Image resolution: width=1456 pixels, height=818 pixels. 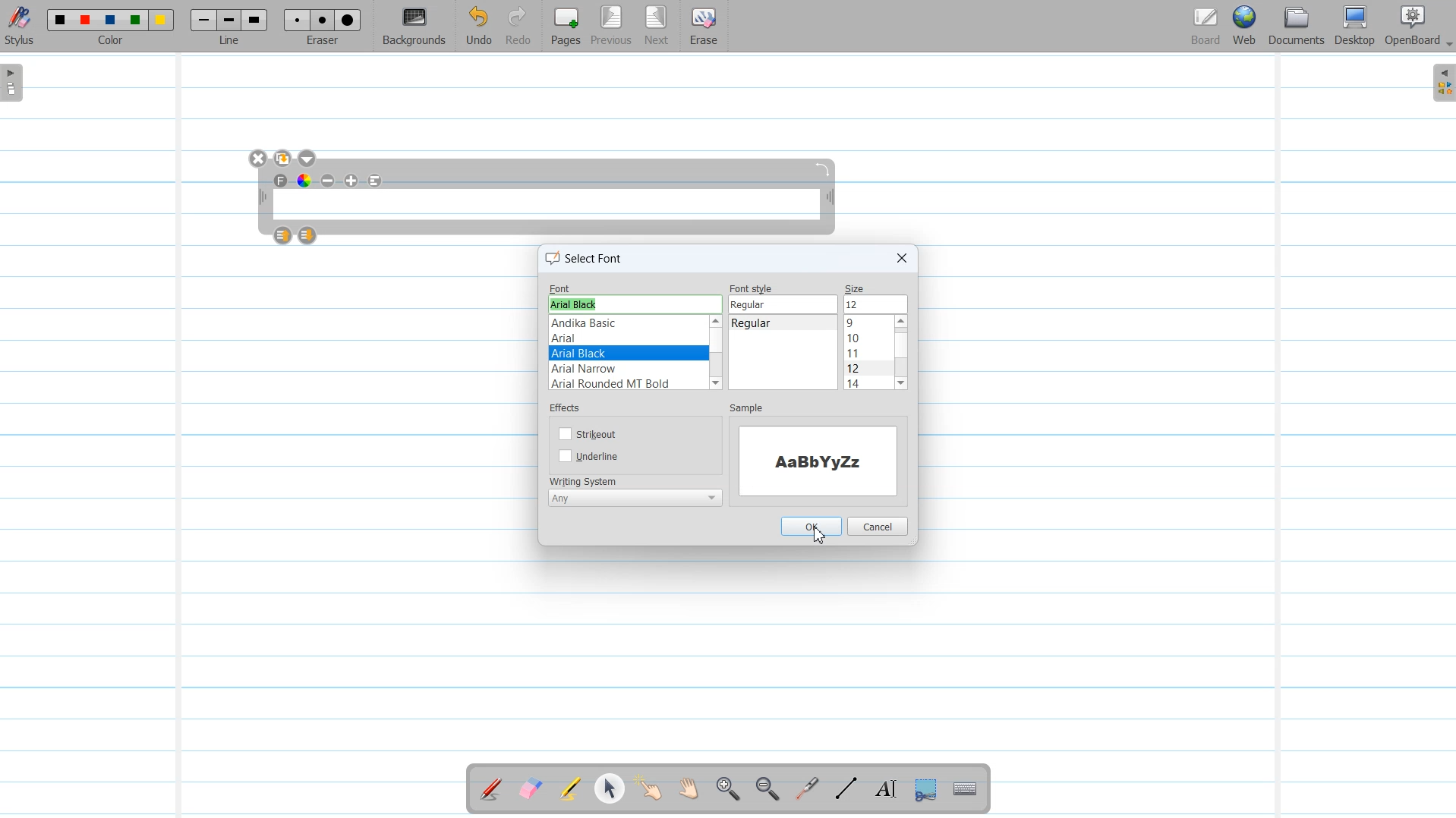 What do you see at coordinates (634, 287) in the screenshot?
I see `Font name` at bounding box center [634, 287].